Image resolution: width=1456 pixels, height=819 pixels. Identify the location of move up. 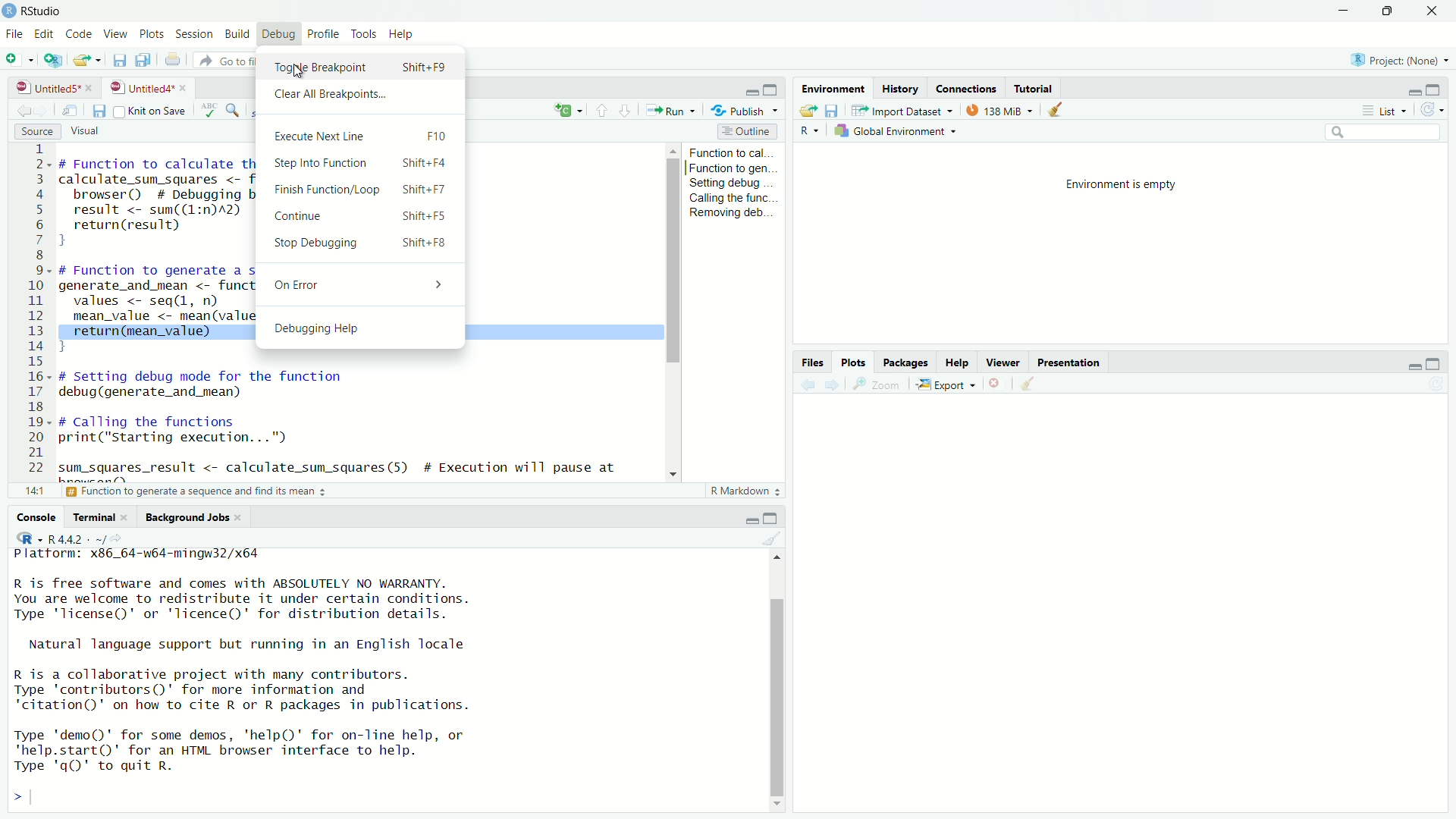
(671, 149).